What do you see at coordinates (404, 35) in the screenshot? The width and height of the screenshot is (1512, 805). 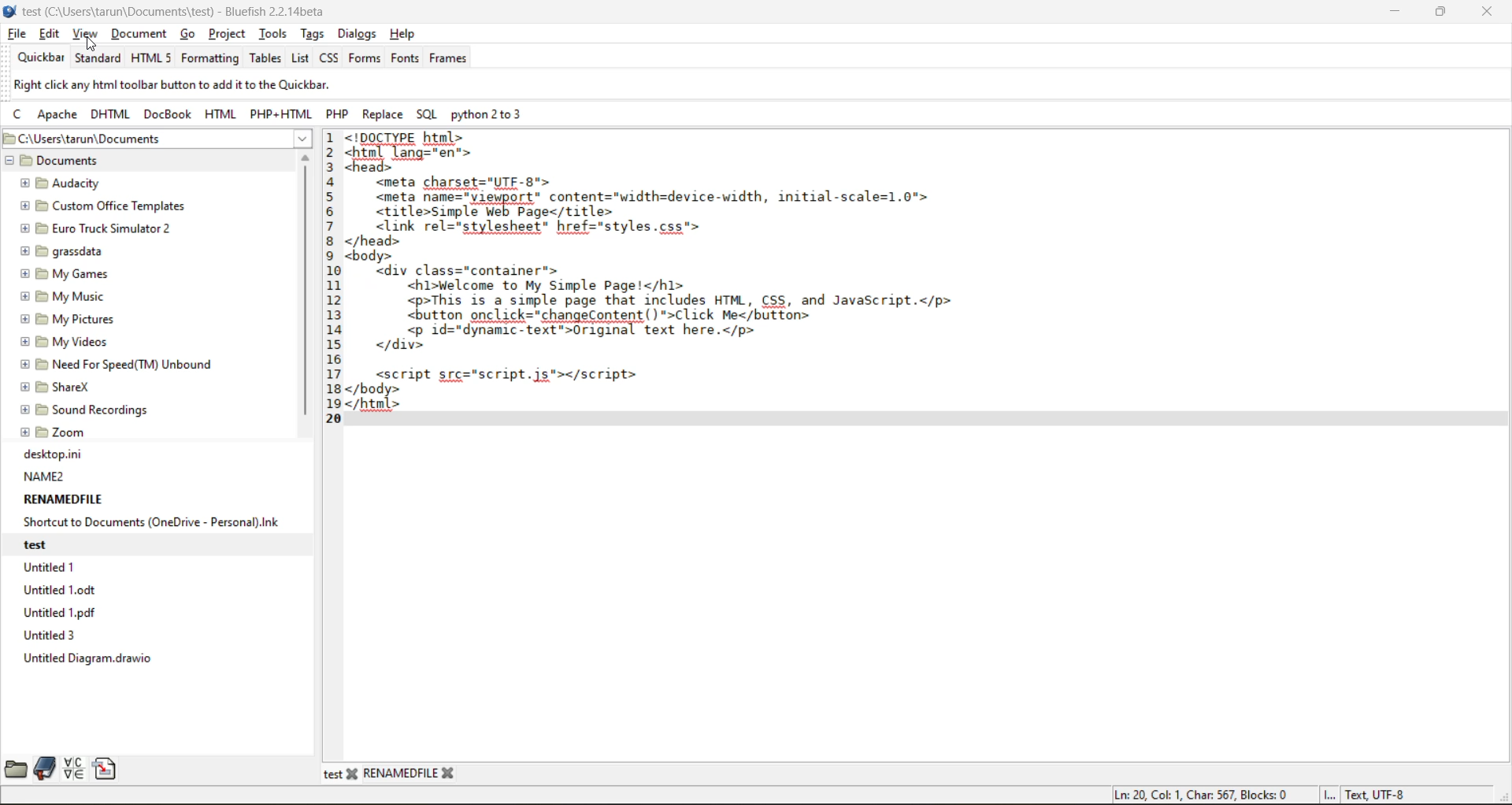 I see `help` at bounding box center [404, 35].